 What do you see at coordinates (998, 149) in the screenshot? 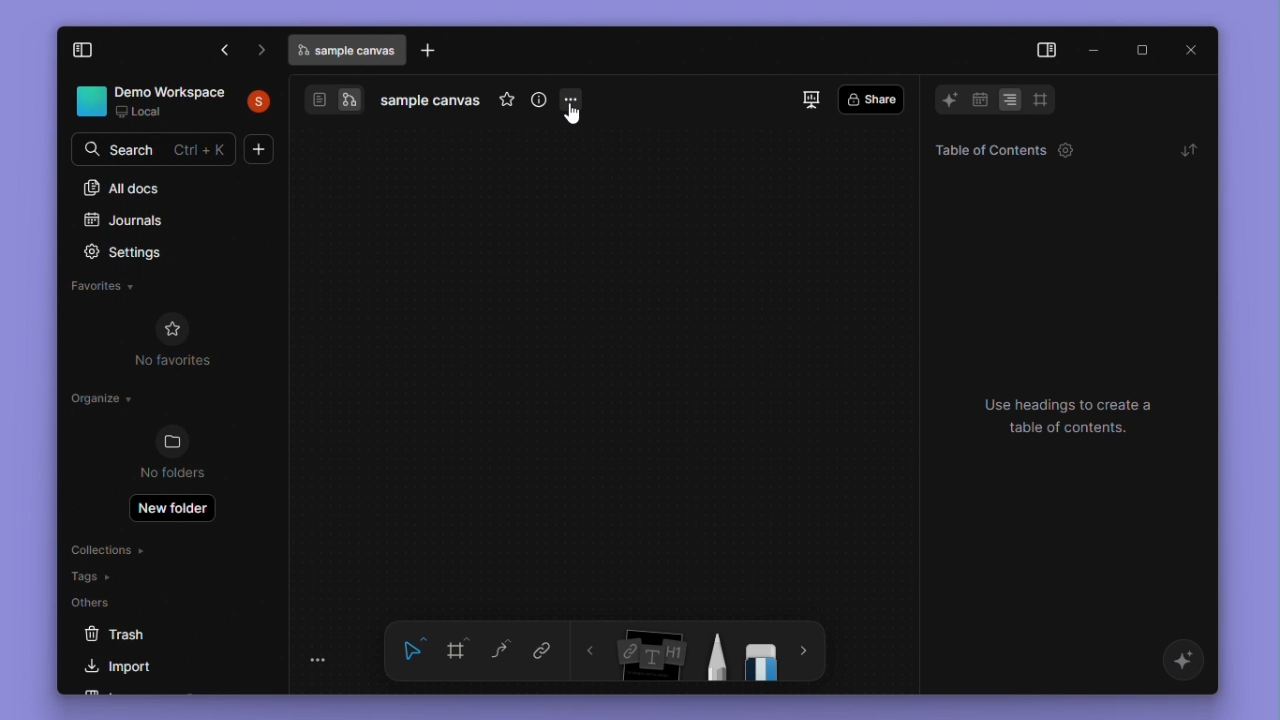
I see `table of contents` at bounding box center [998, 149].